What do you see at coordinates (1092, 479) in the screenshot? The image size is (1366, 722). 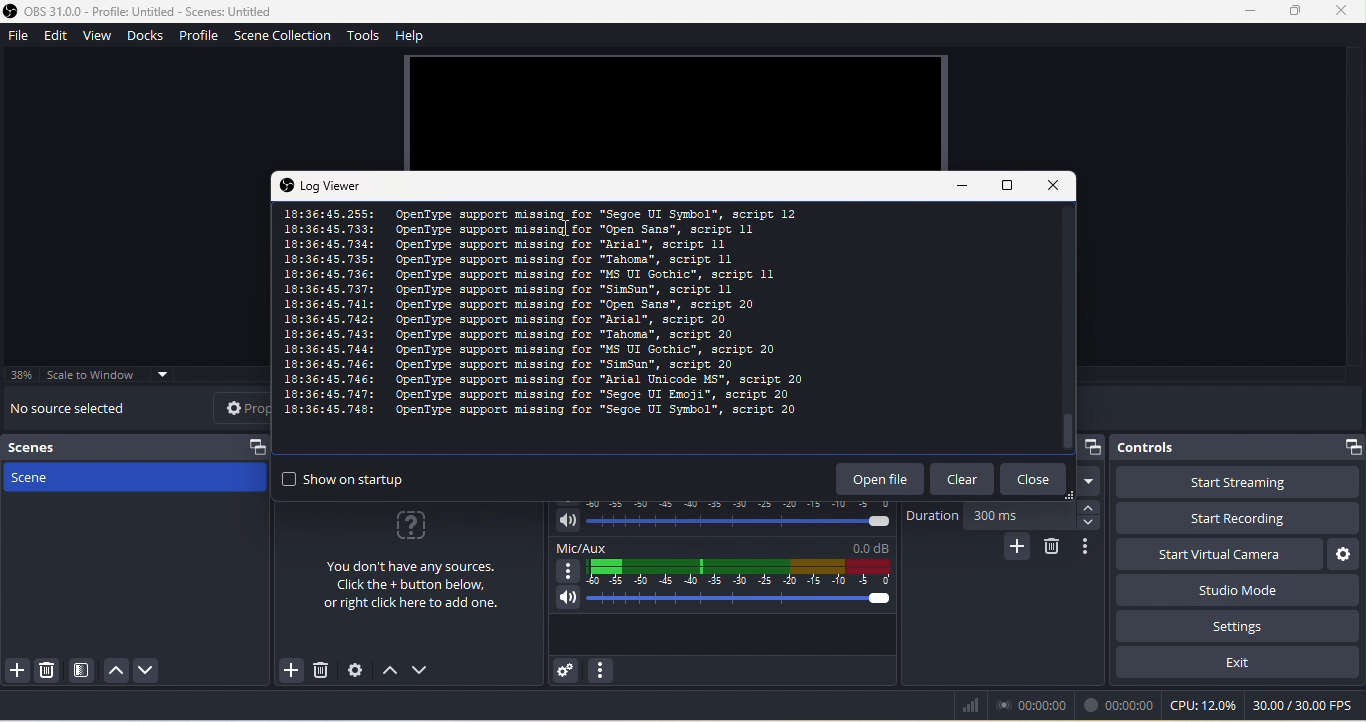 I see `dropdown` at bounding box center [1092, 479].